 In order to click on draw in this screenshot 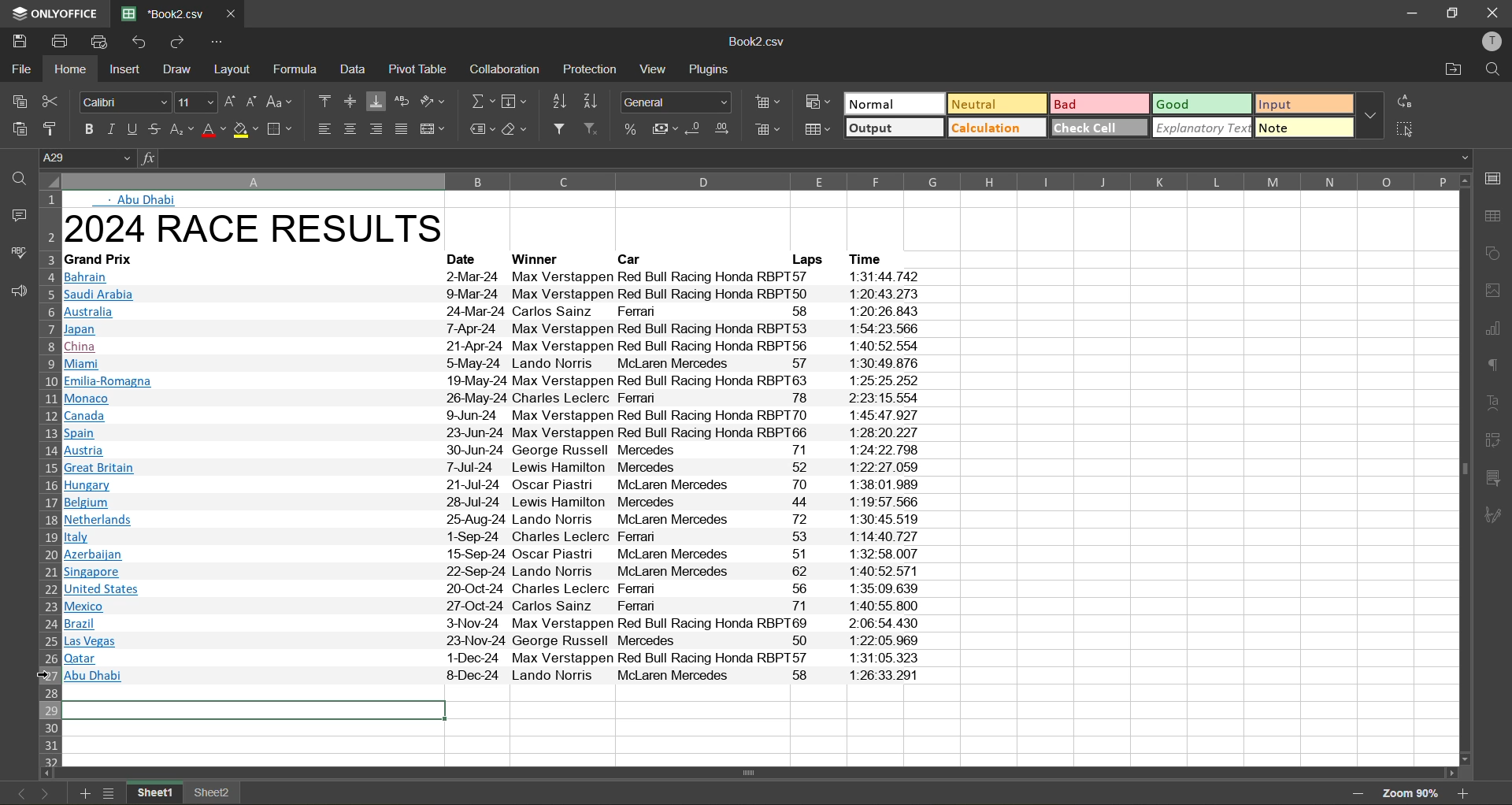, I will do `click(178, 71)`.